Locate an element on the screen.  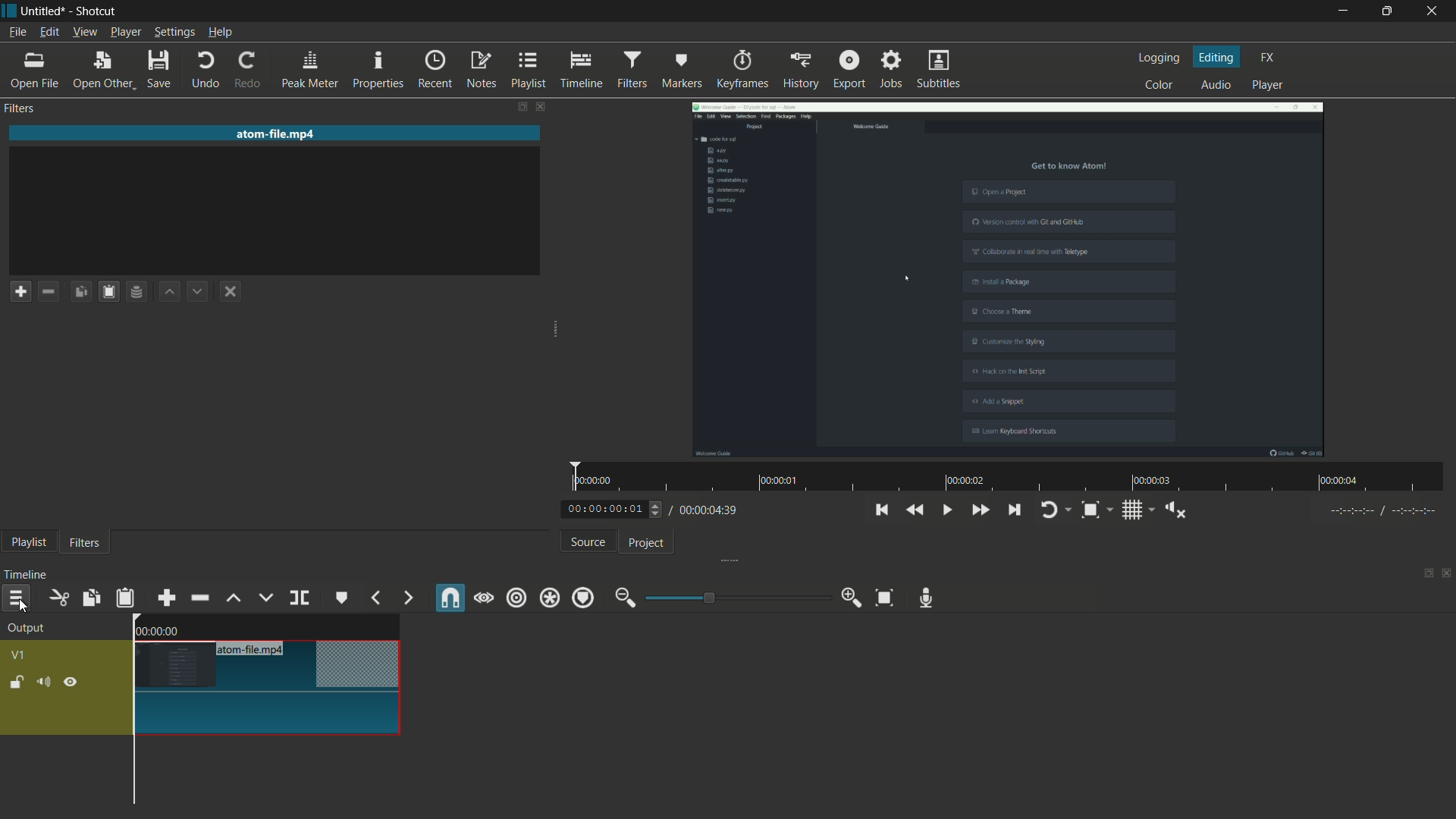
expand is located at coordinates (724, 562).